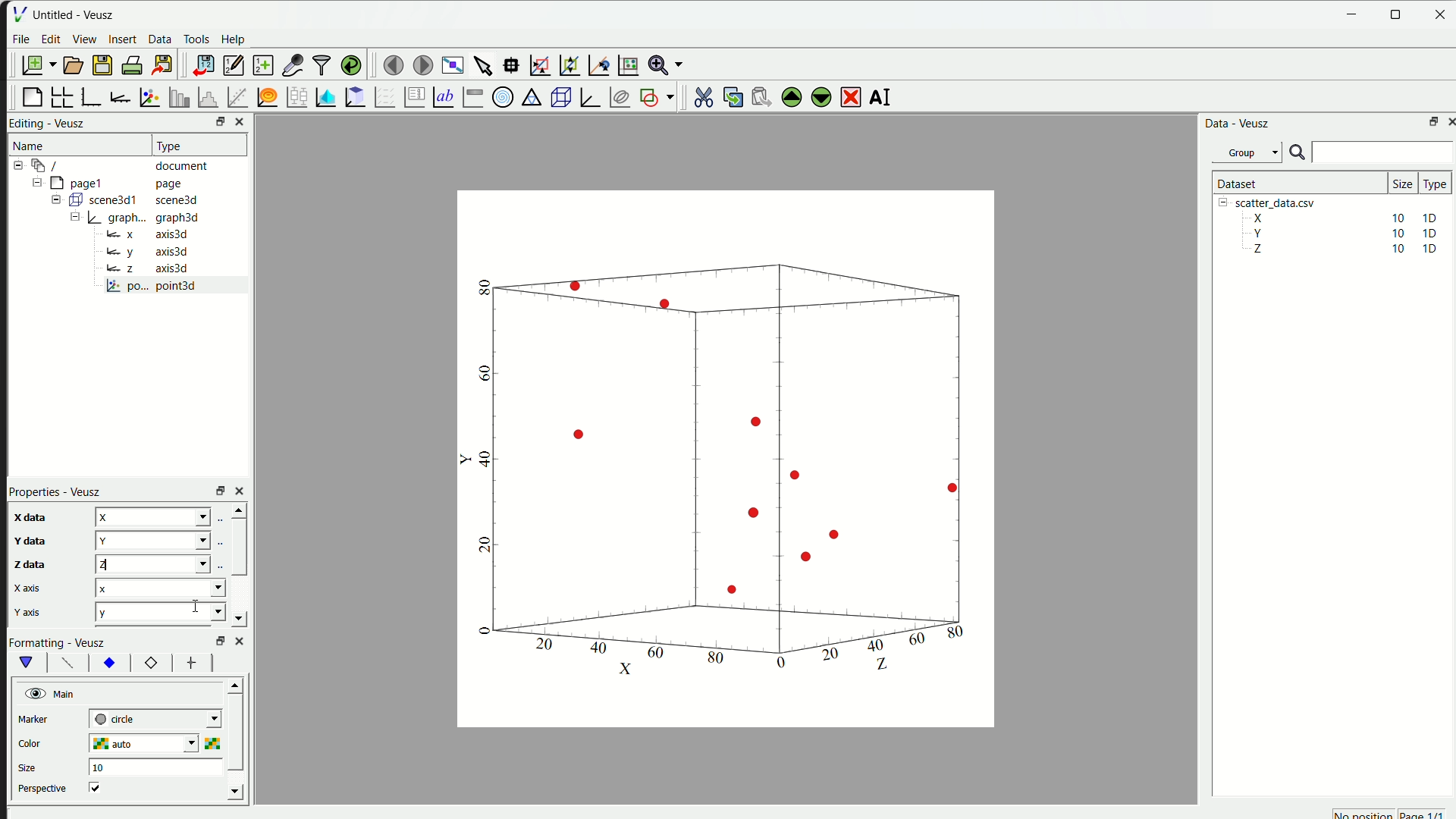 The height and width of the screenshot is (819, 1456). What do you see at coordinates (162, 589) in the screenshot?
I see `x` at bounding box center [162, 589].